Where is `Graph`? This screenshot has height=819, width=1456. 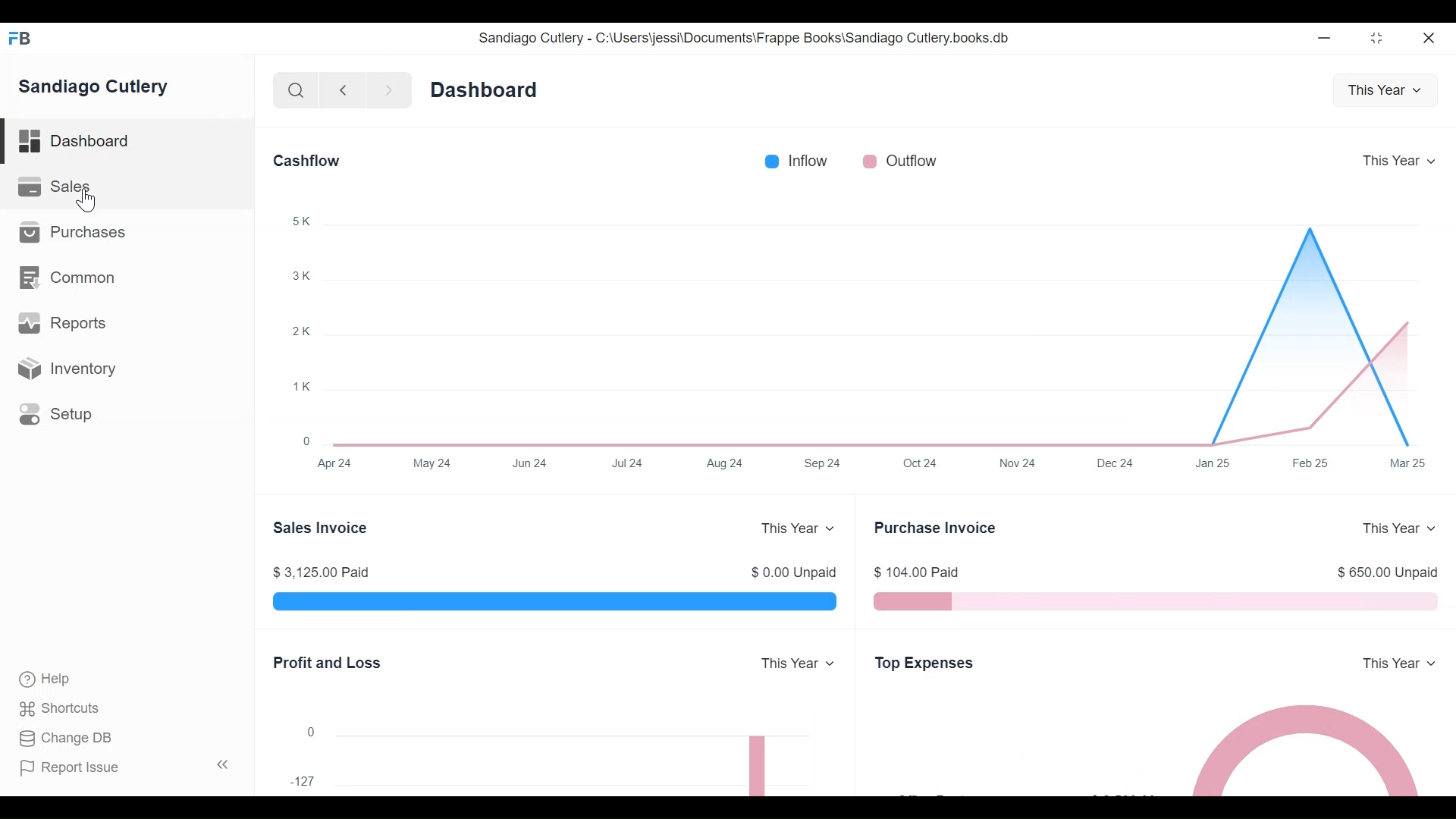
Graph is located at coordinates (860, 340).